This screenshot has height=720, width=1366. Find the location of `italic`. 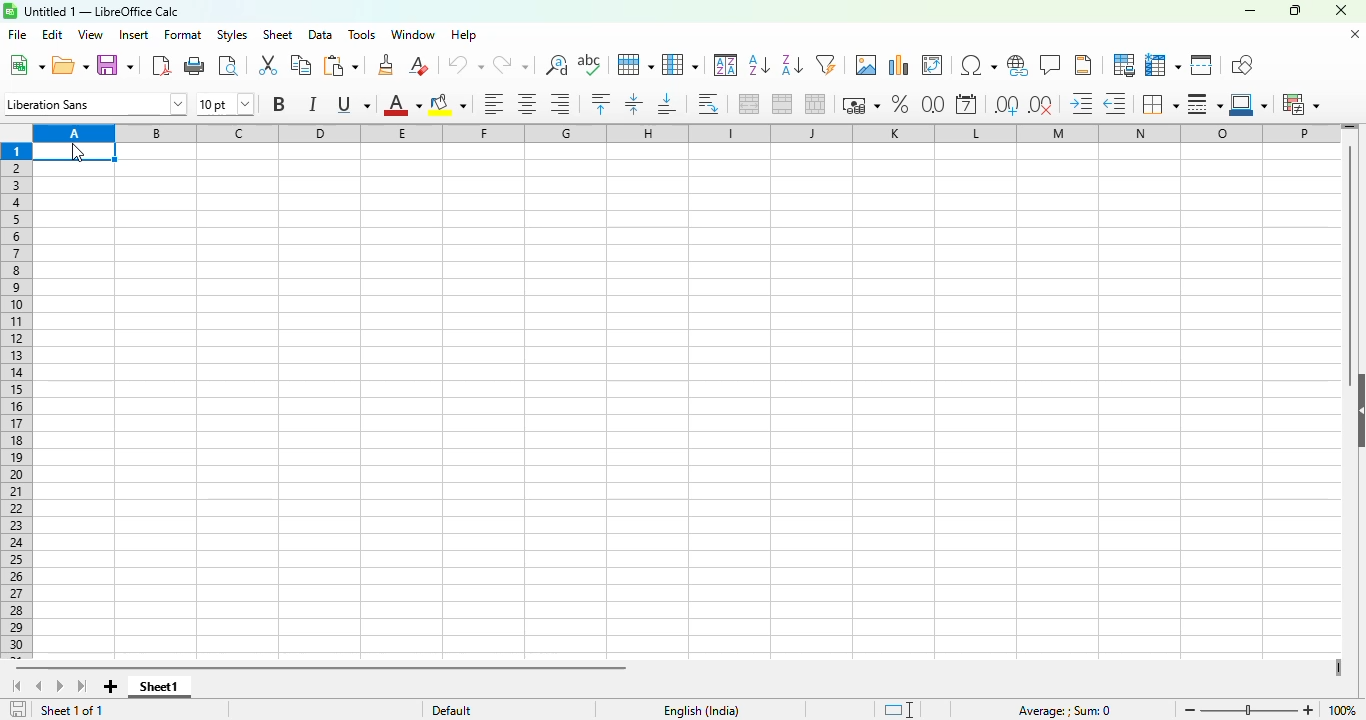

italic is located at coordinates (312, 103).